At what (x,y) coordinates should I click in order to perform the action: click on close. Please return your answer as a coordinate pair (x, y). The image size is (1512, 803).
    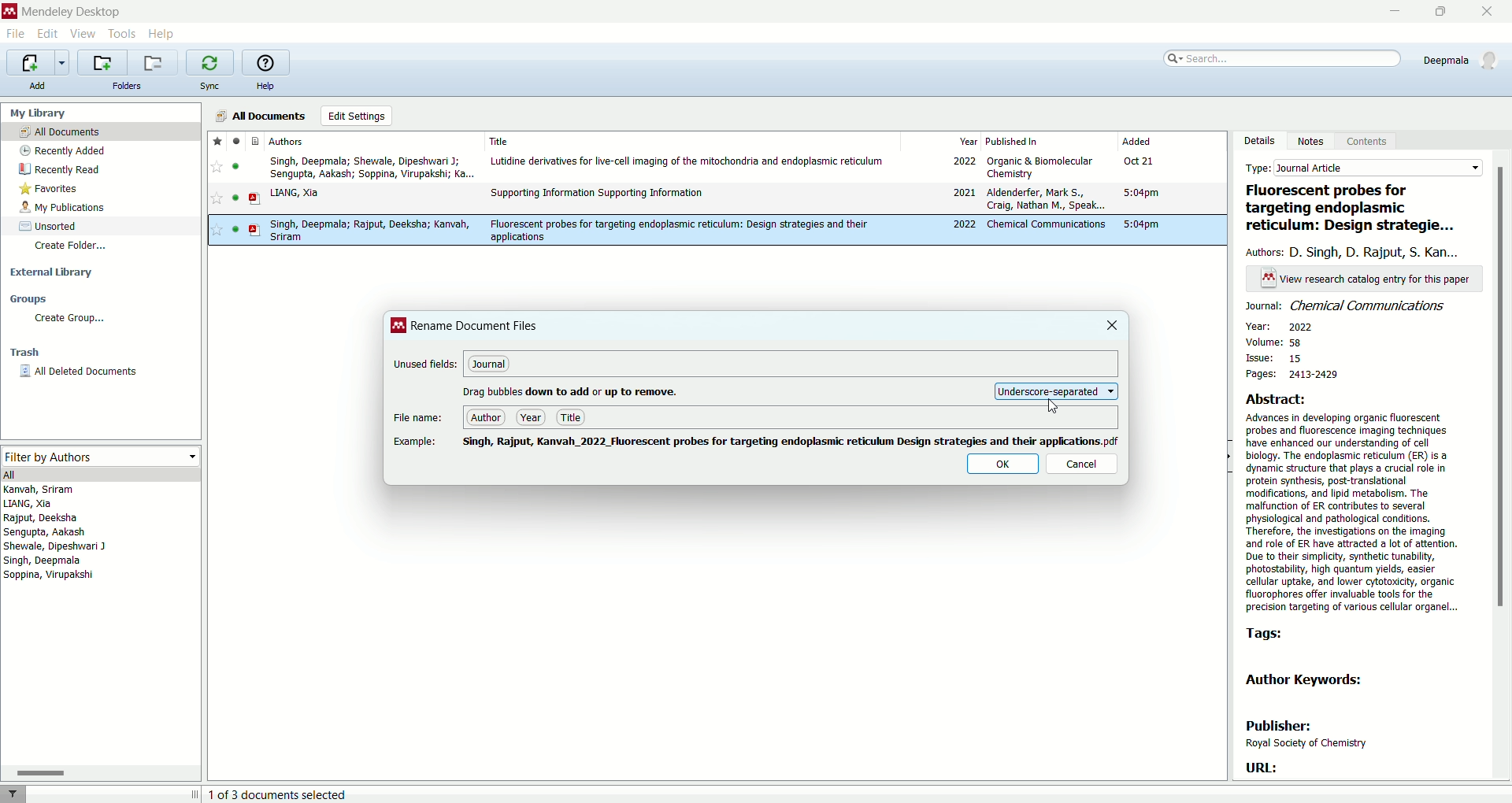
    Looking at the image, I should click on (1487, 12).